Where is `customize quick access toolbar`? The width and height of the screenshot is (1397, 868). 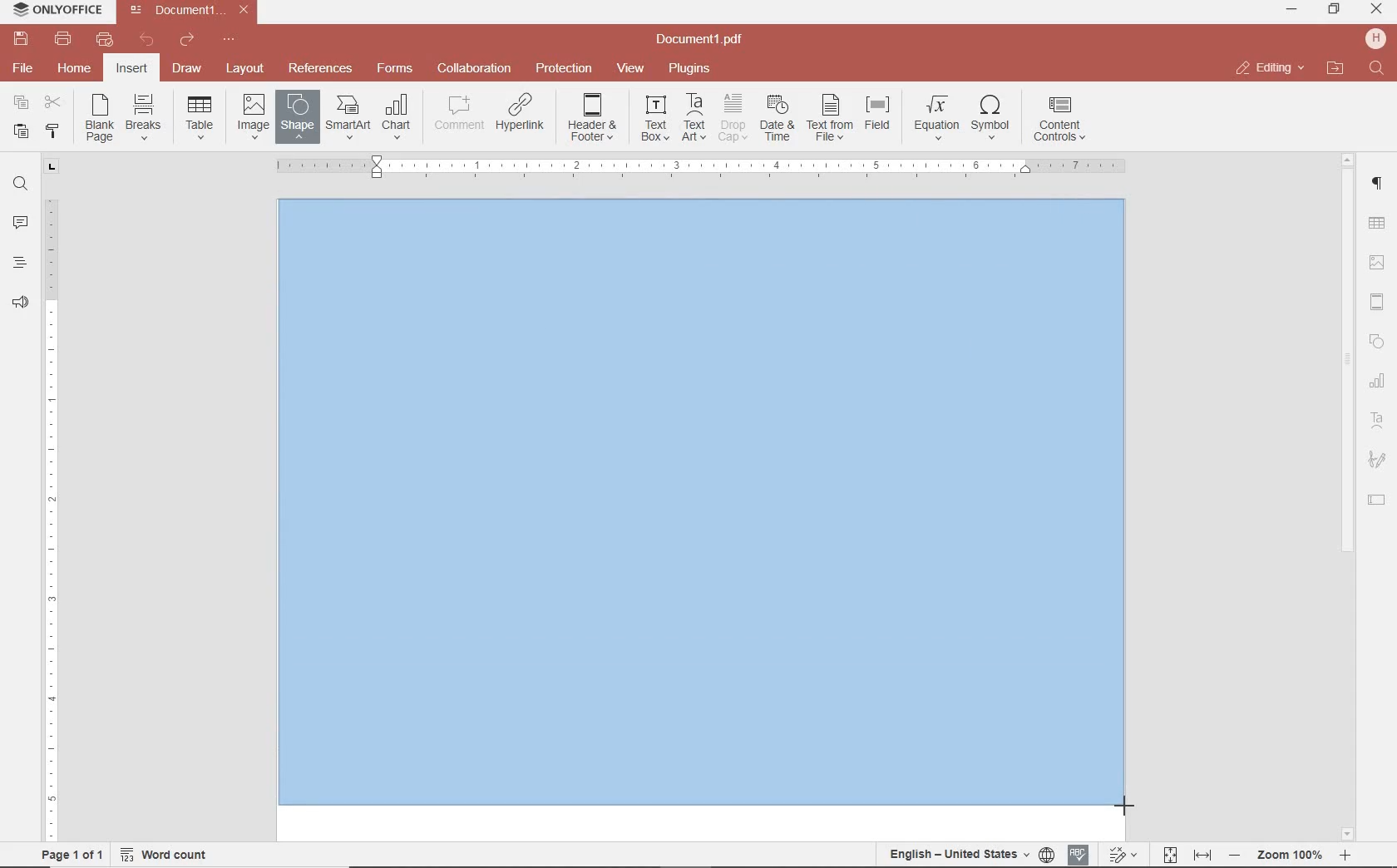
customize quick access toolbar is located at coordinates (229, 40).